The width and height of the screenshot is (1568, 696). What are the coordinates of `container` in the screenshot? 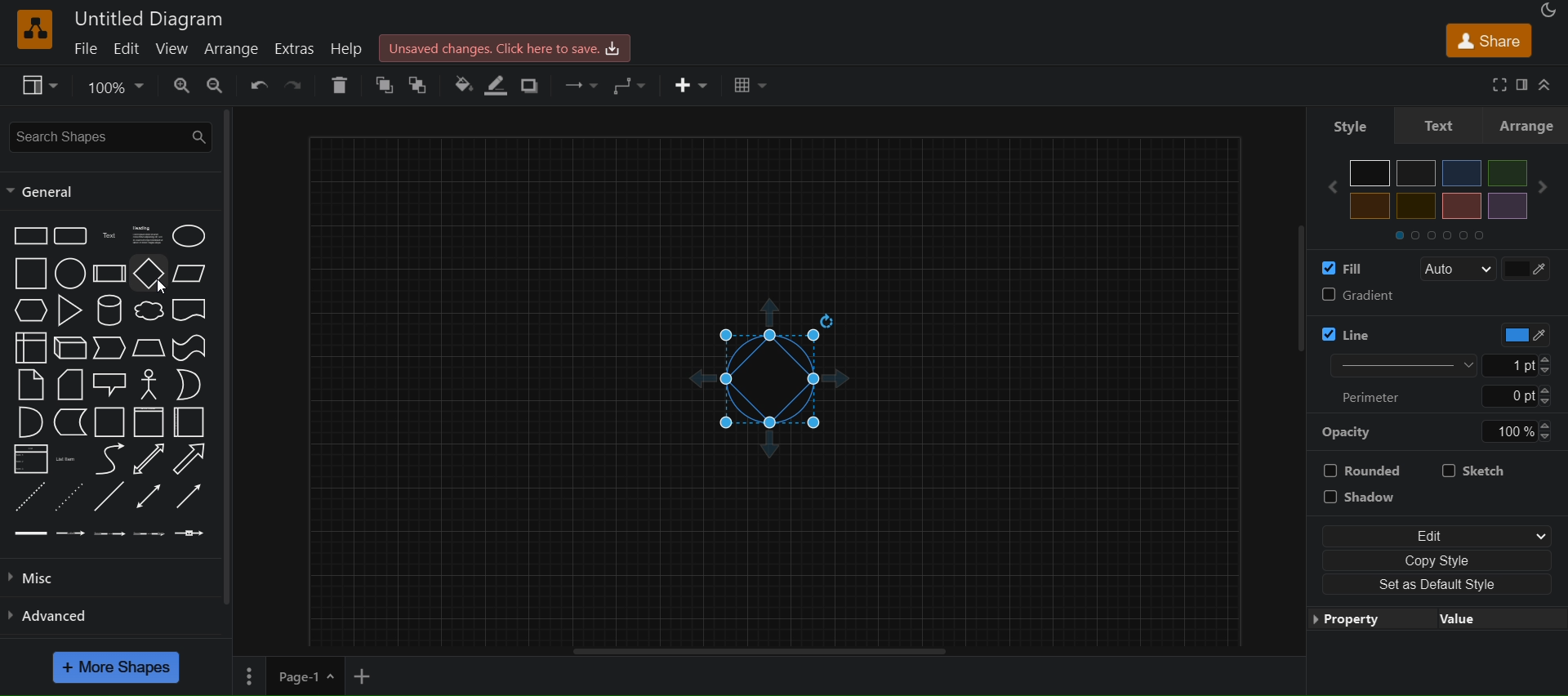 It's located at (111, 423).